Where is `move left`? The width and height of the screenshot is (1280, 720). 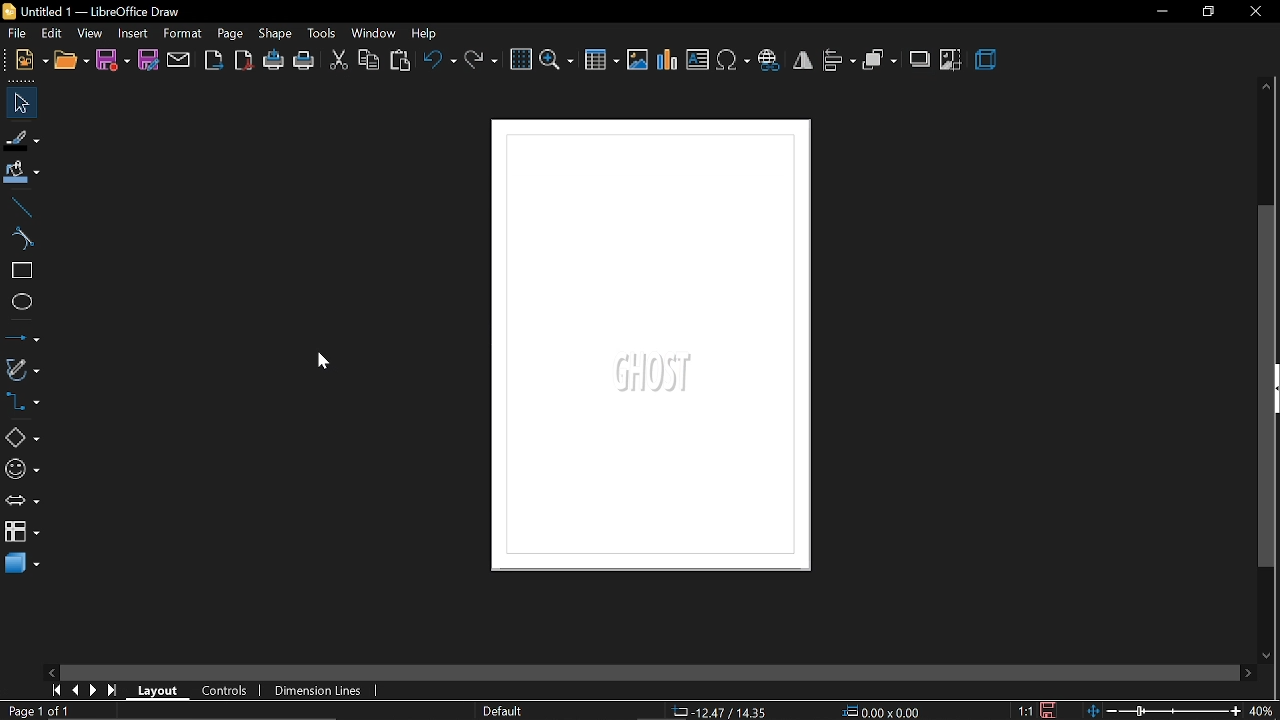
move left is located at coordinates (51, 670).